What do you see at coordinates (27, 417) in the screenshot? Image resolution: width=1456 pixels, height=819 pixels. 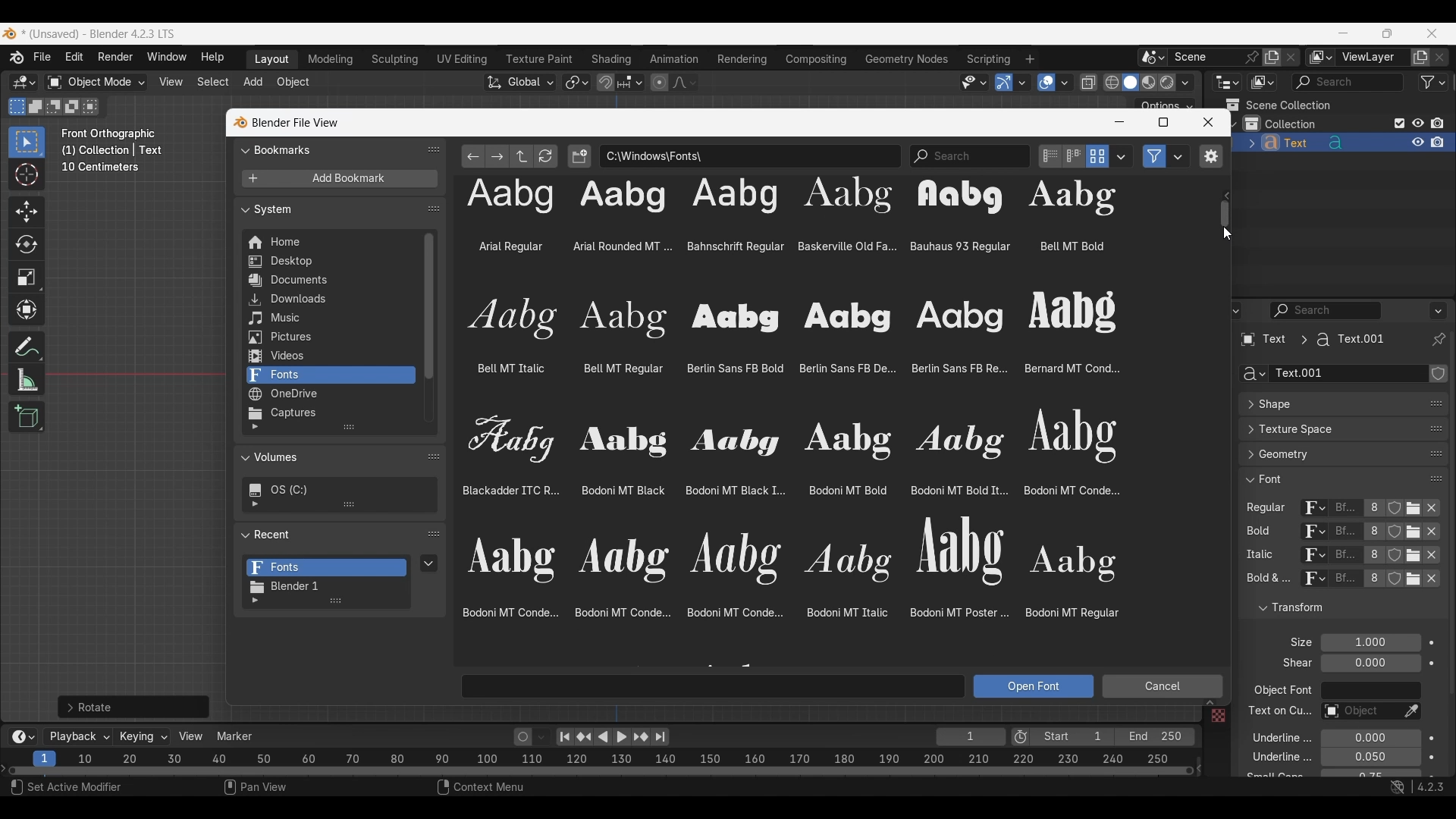 I see `Add cube` at bounding box center [27, 417].